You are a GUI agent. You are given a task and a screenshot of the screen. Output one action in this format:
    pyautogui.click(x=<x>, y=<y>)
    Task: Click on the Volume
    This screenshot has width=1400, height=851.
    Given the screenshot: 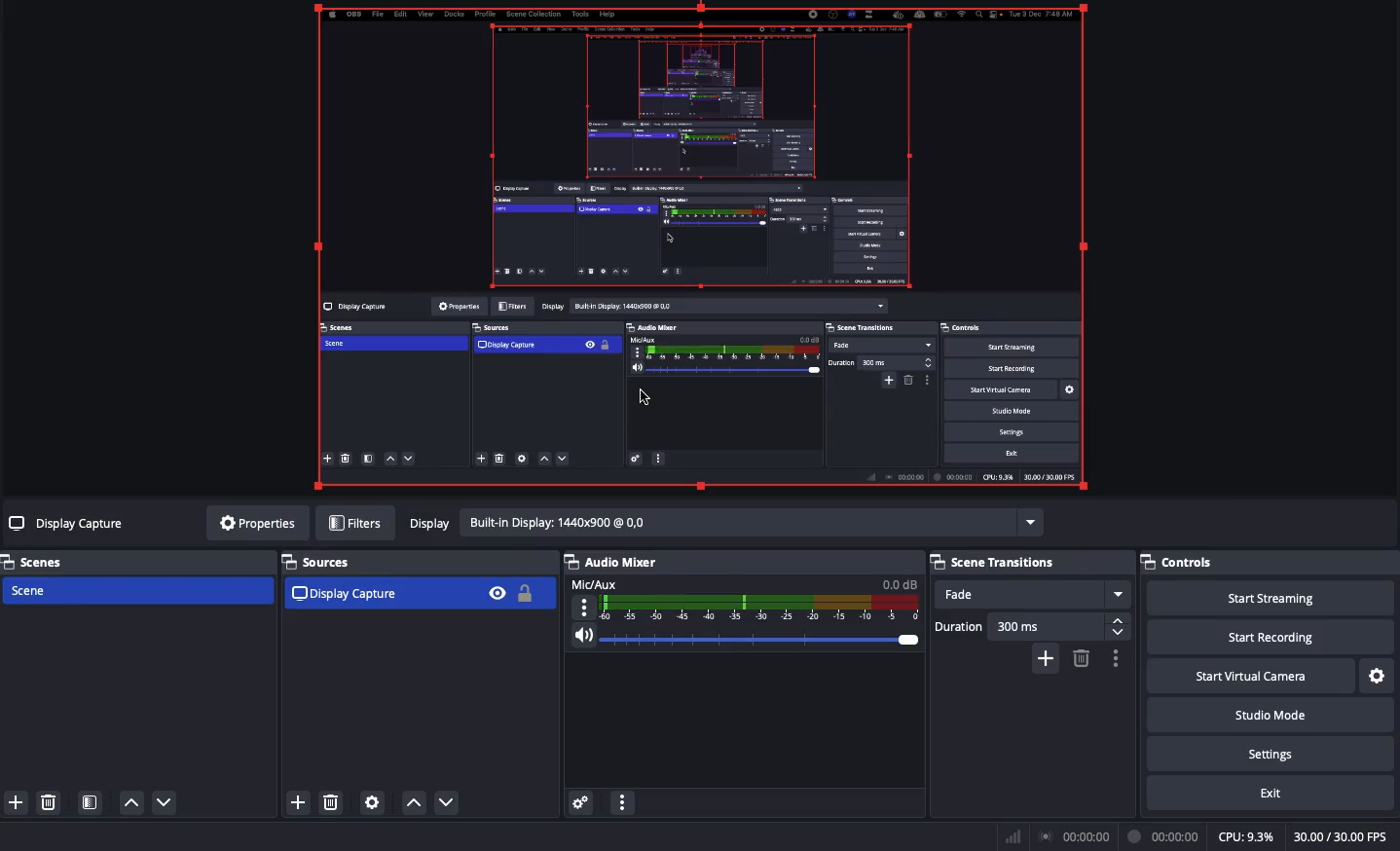 What is the action you would take?
    pyautogui.click(x=747, y=637)
    